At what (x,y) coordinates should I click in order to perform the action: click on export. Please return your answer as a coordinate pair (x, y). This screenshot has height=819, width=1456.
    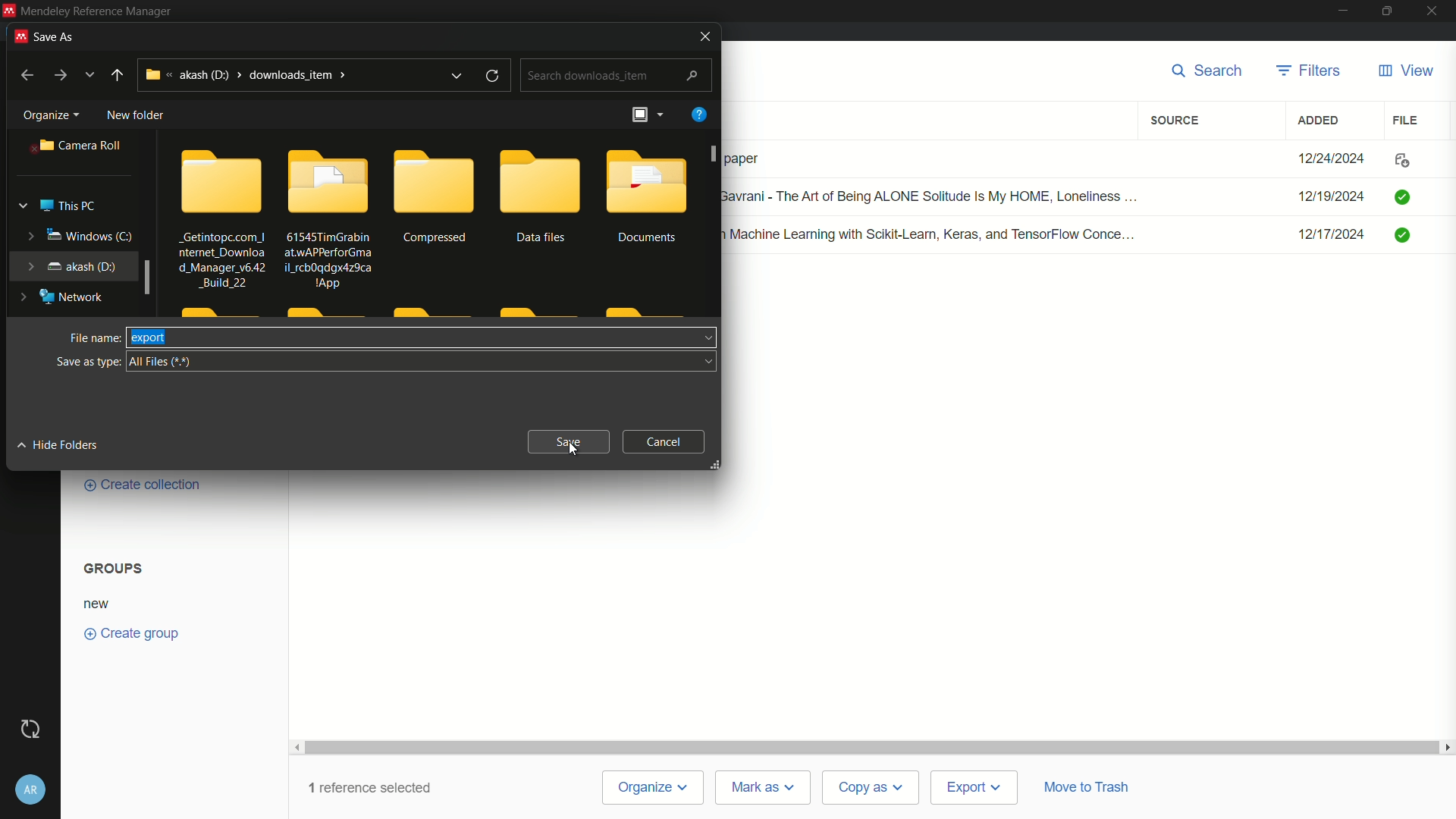
    Looking at the image, I should click on (149, 337).